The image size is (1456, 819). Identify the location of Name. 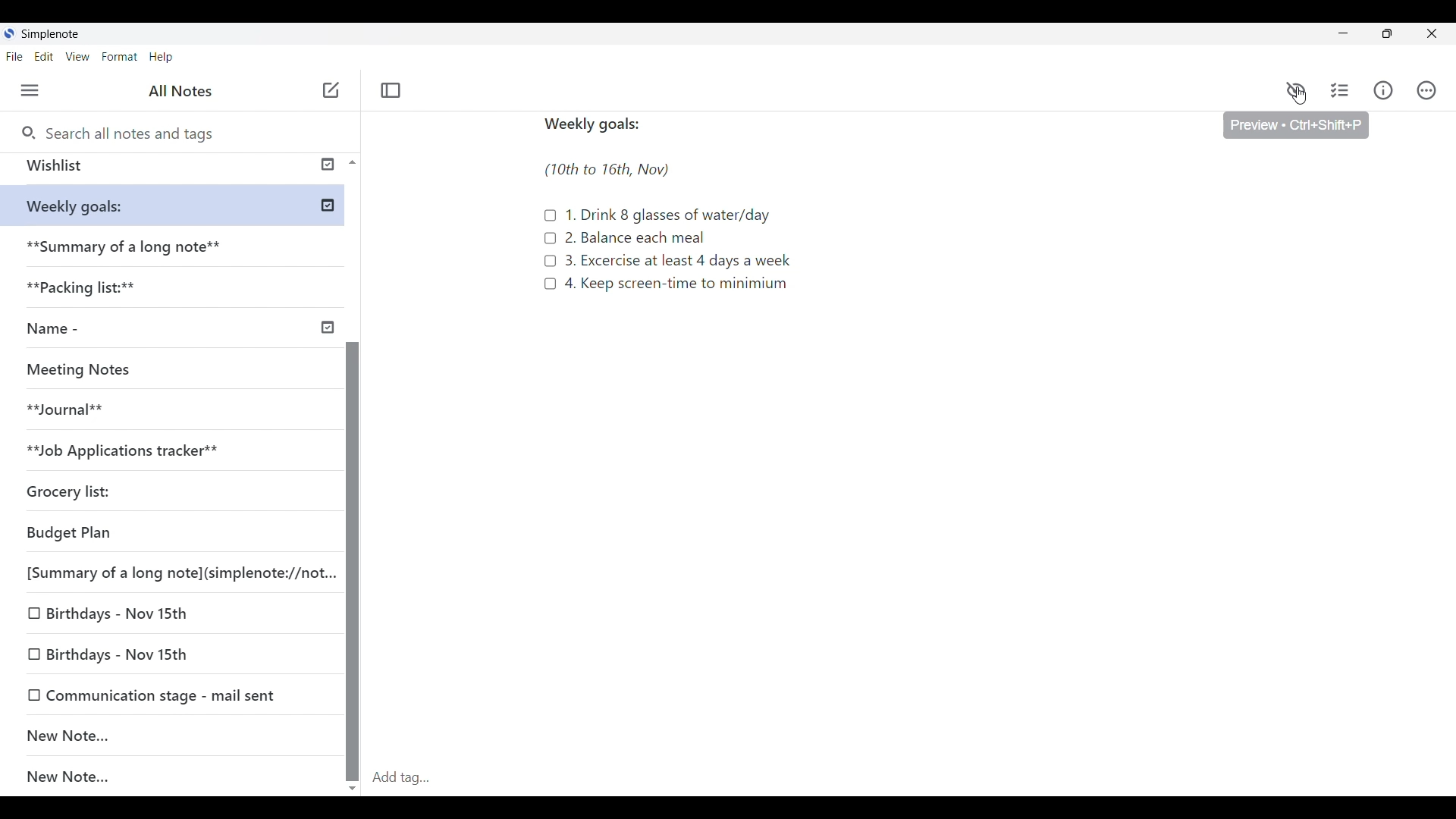
(177, 329).